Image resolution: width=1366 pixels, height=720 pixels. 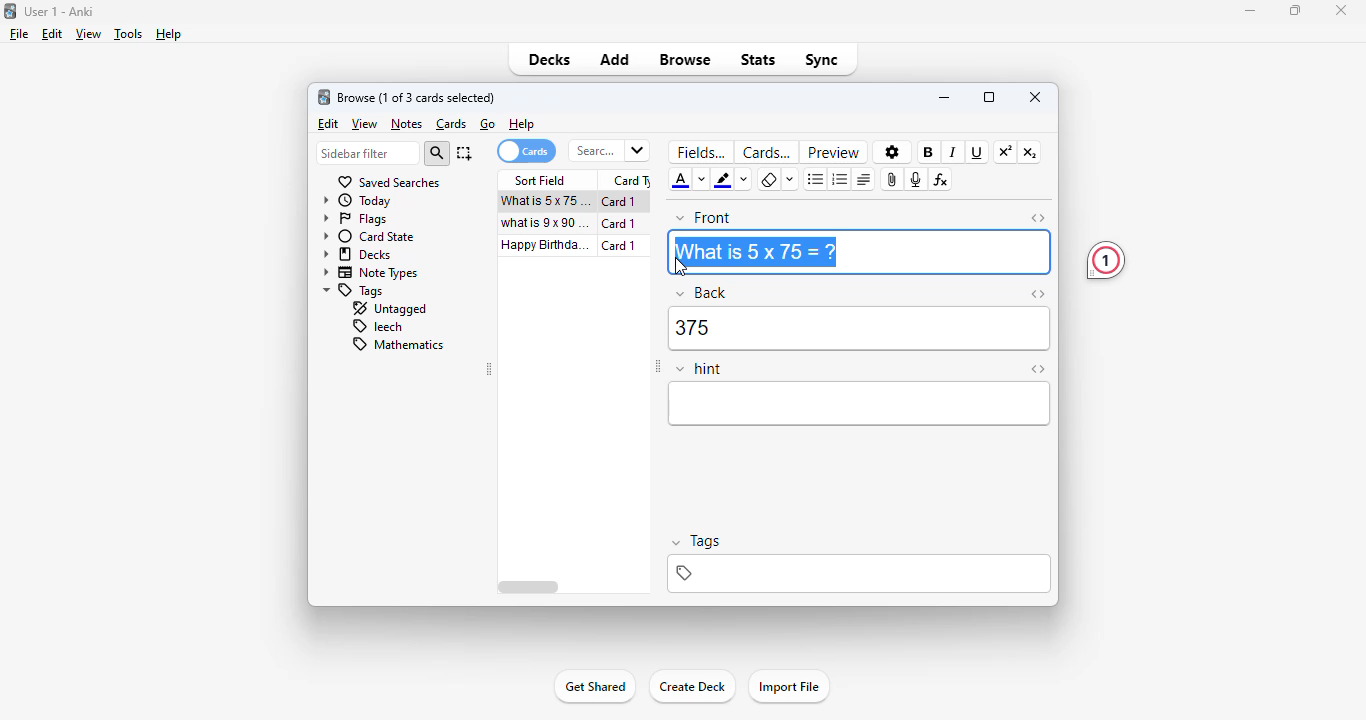 What do you see at coordinates (10, 11) in the screenshot?
I see `logo` at bounding box center [10, 11].